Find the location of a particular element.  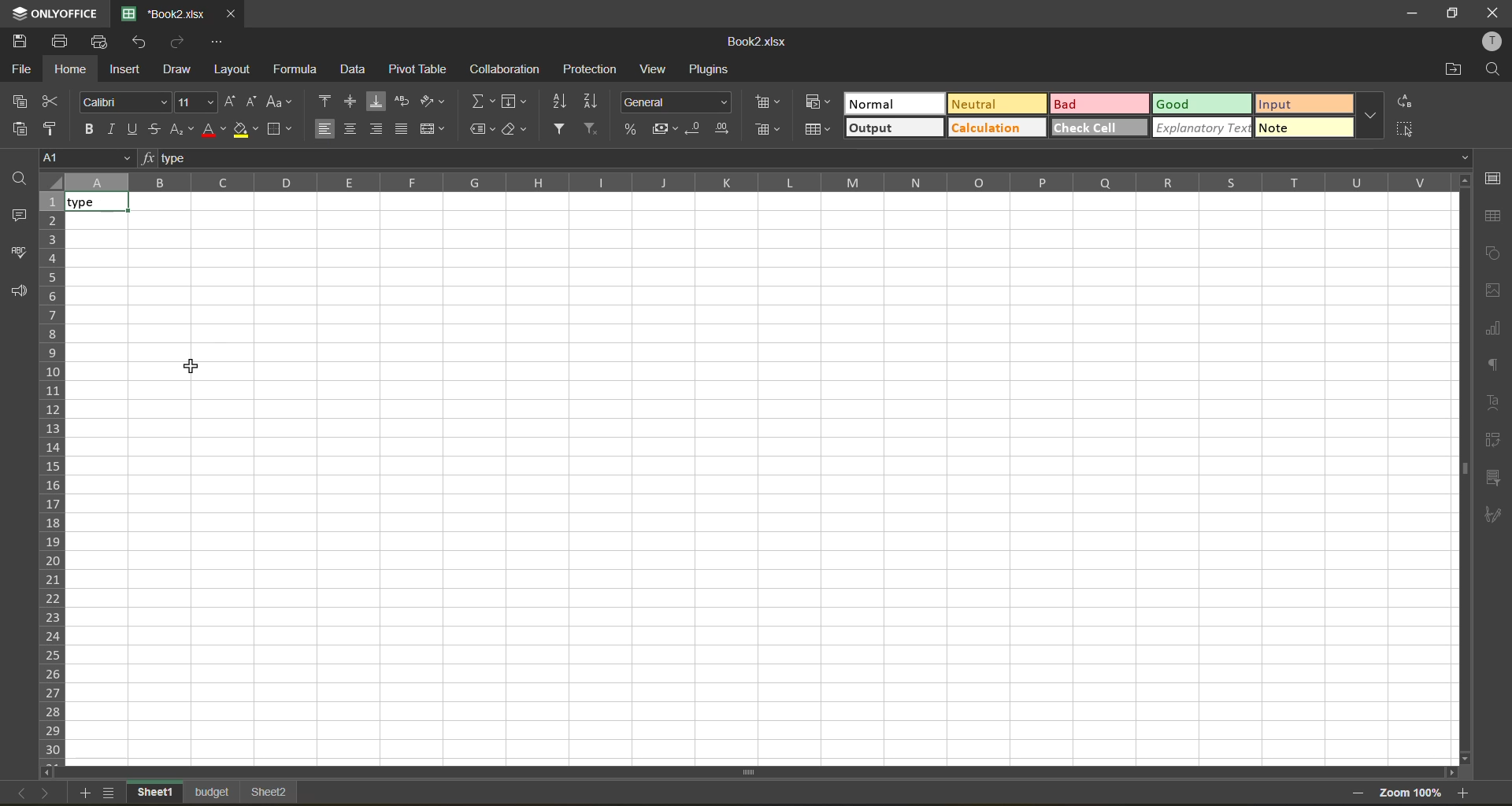

customize quick access toolbar is located at coordinates (217, 42).